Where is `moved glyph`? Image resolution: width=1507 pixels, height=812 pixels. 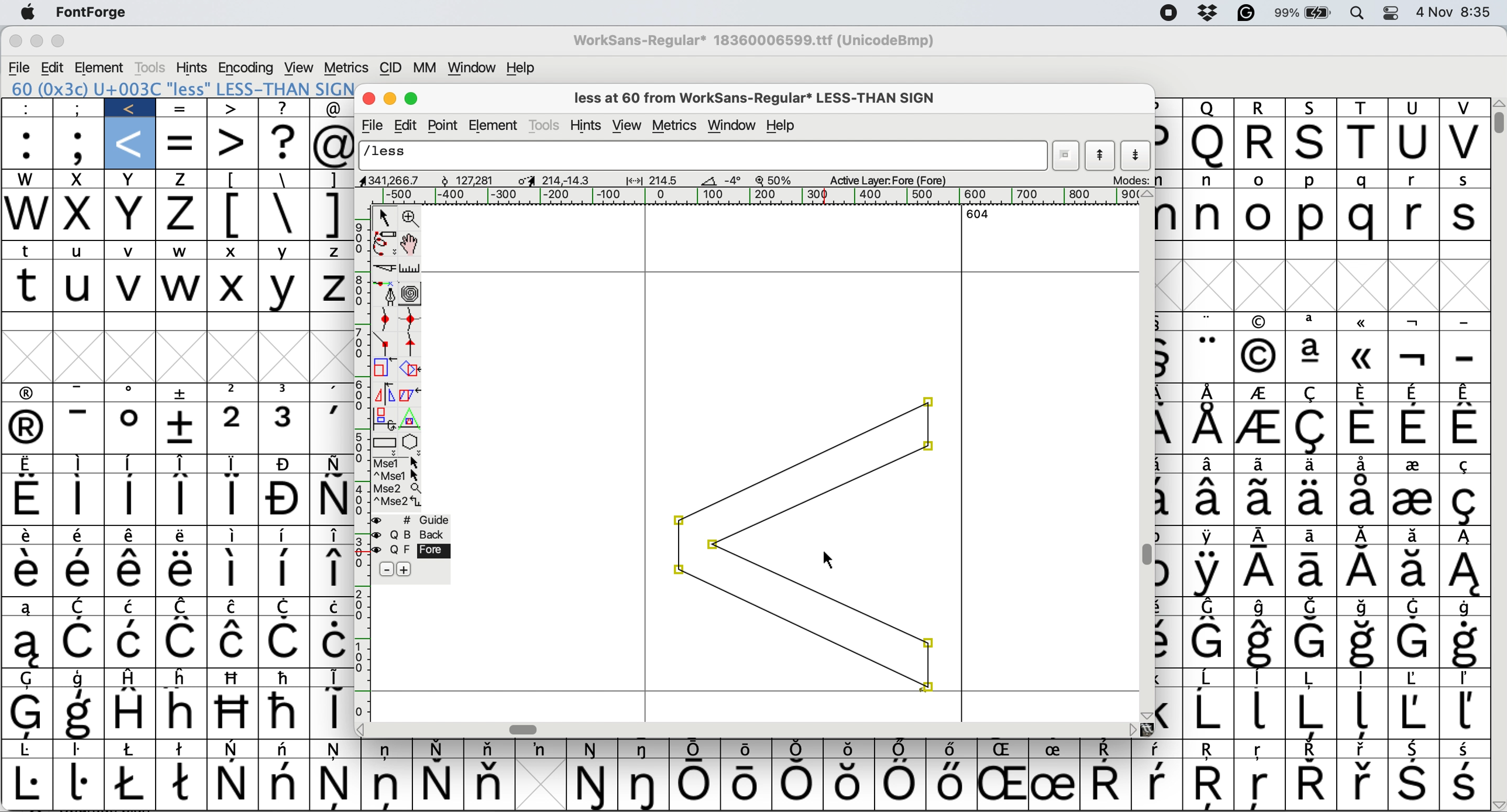
moved glyph is located at coordinates (803, 545).